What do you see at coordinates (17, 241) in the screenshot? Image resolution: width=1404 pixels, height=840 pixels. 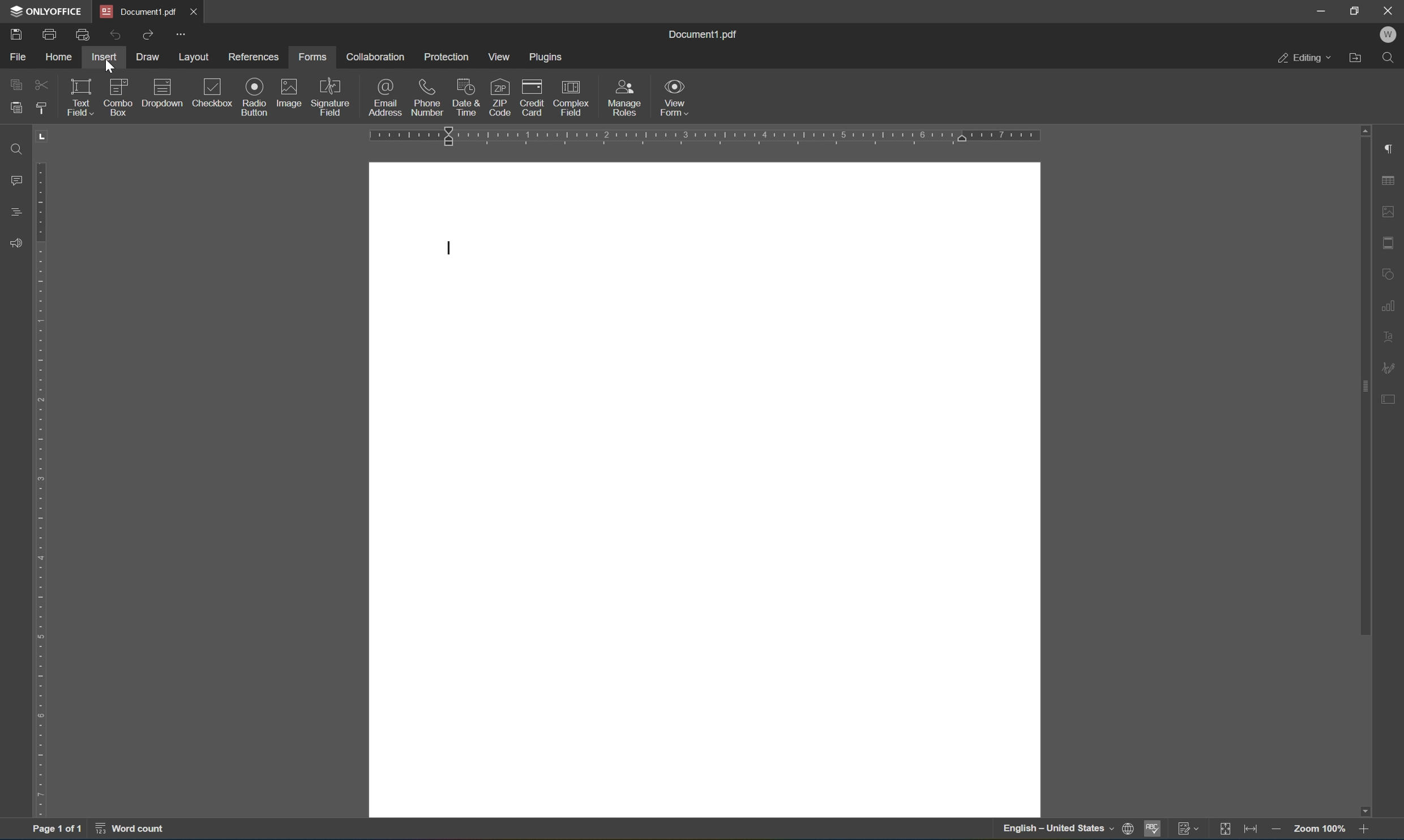 I see `feedback & support` at bounding box center [17, 241].